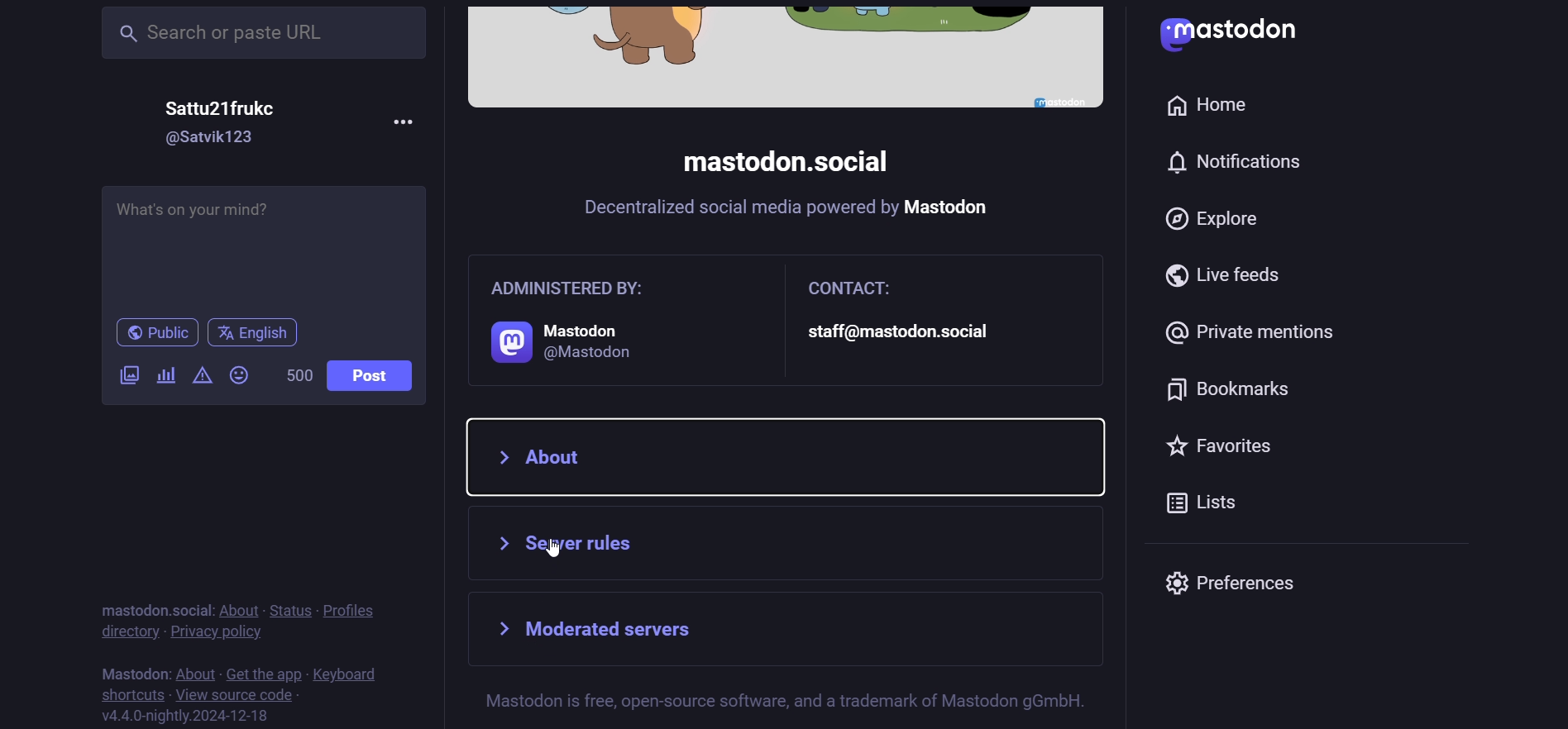 This screenshot has width=1568, height=729. I want to click on image, so click(785, 57).